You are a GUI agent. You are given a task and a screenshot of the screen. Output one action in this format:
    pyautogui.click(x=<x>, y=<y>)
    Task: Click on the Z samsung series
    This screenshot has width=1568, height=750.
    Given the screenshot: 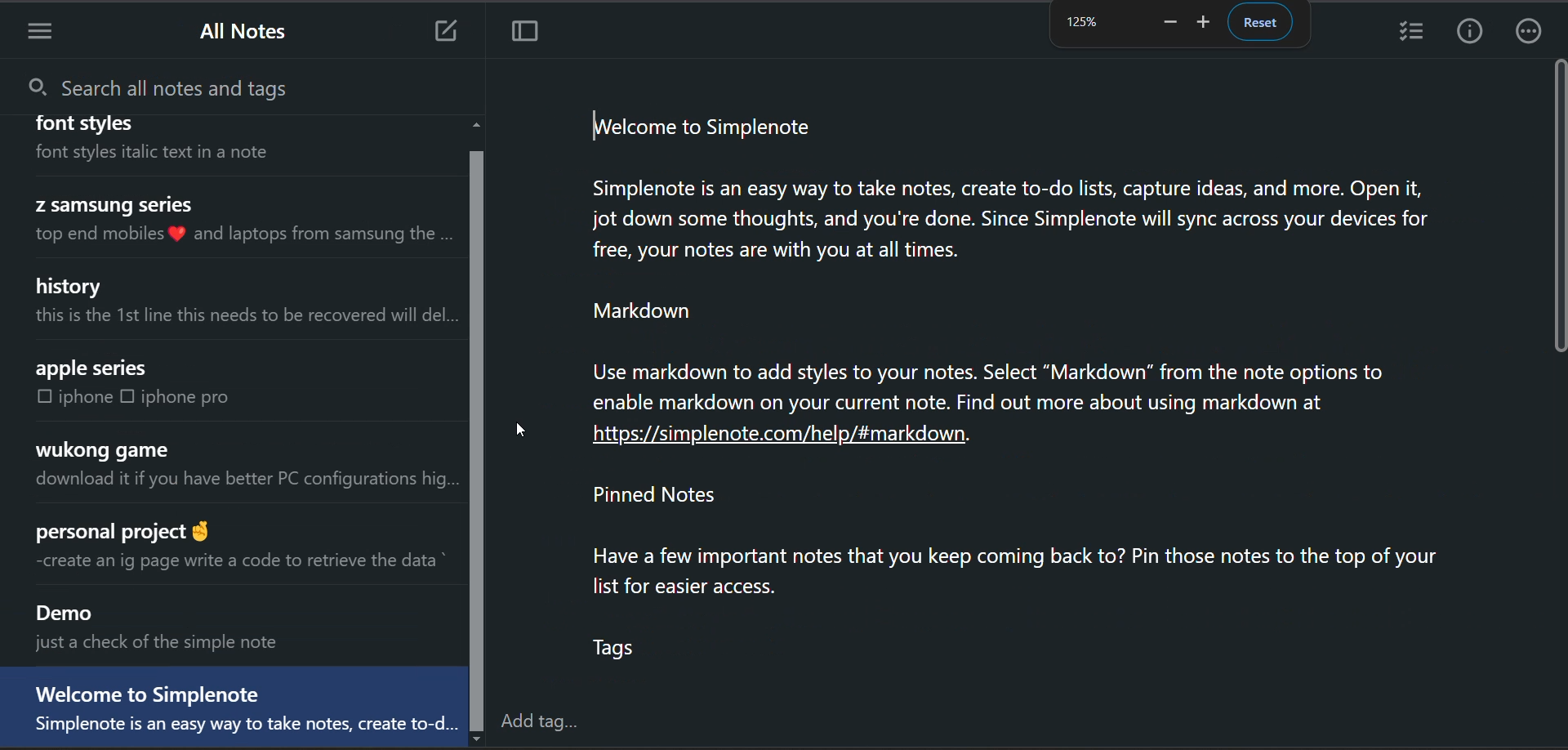 What is the action you would take?
    pyautogui.click(x=115, y=201)
    